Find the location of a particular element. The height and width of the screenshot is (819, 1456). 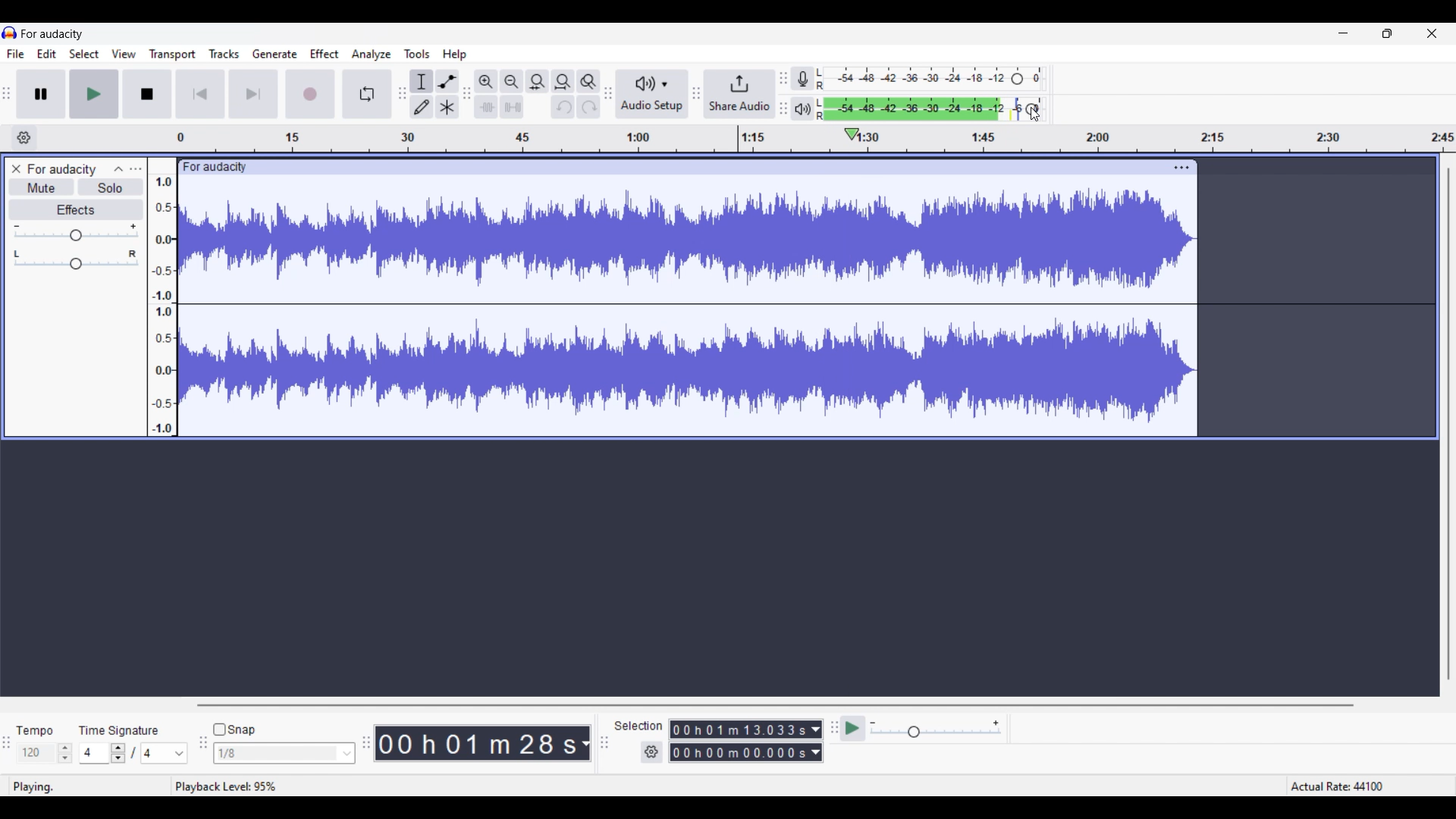

Zoom out is located at coordinates (511, 81).